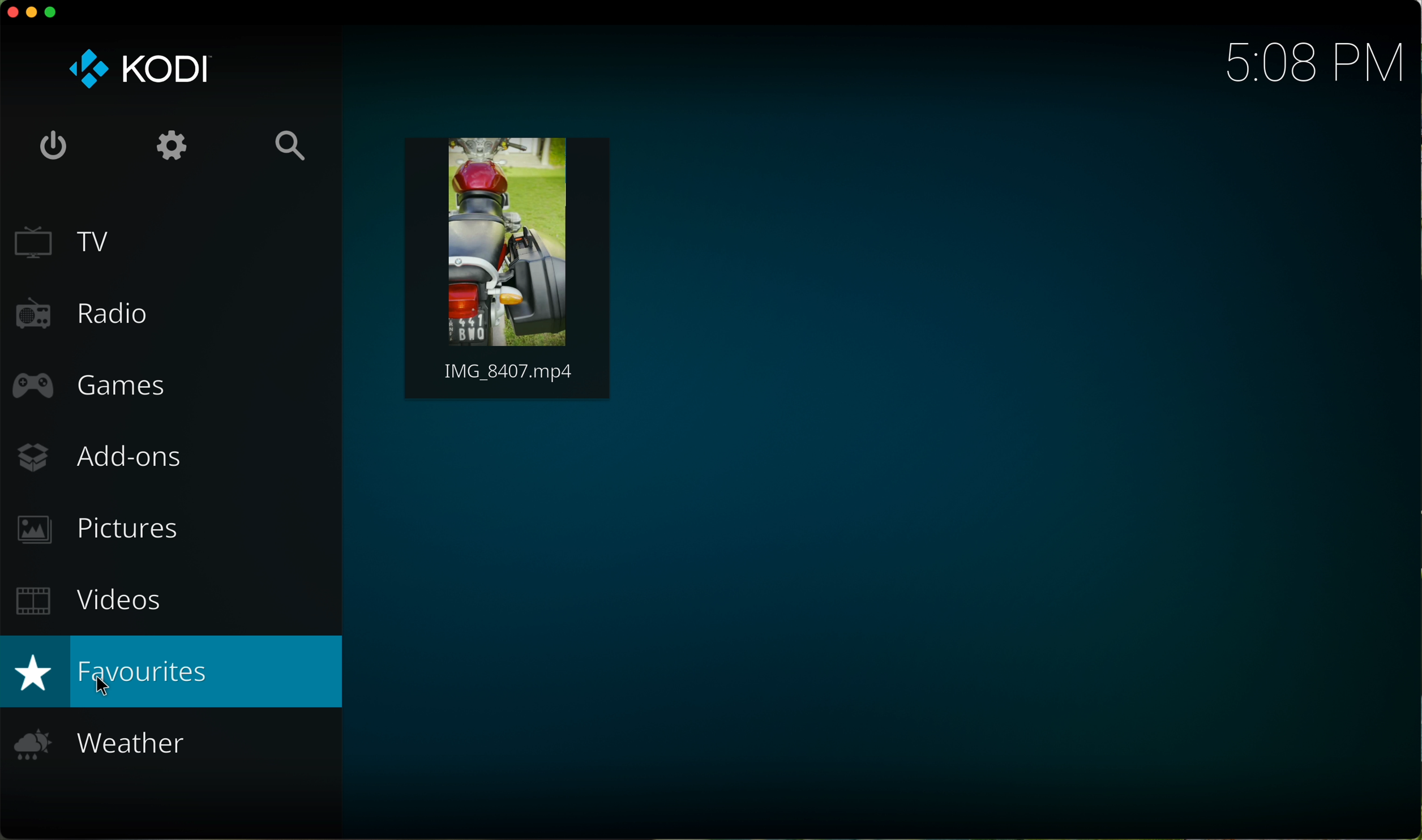  What do you see at coordinates (292, 144) in the screenshot?
I see `search` at bounding box center [292, 144].